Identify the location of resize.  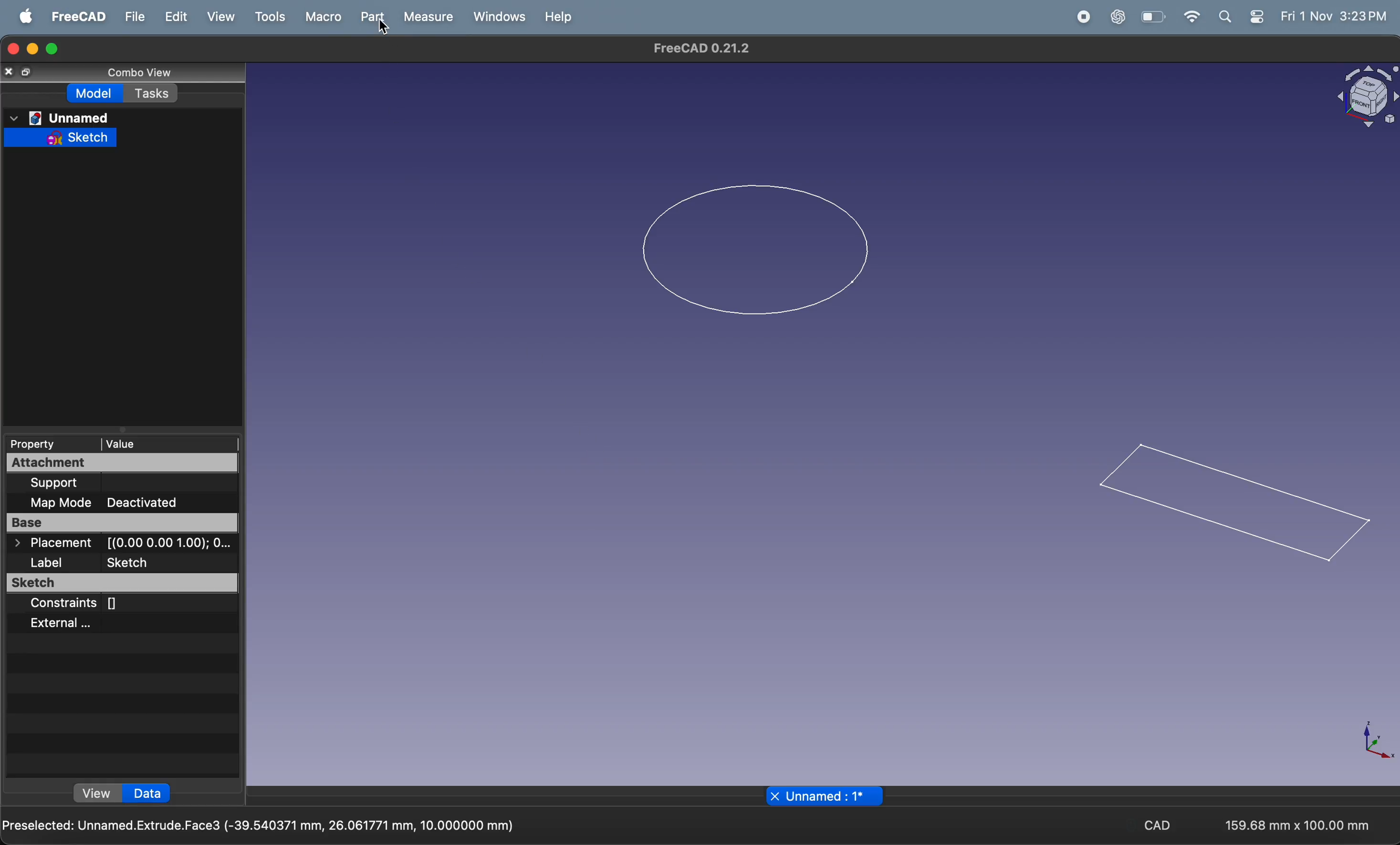
(28, 72).